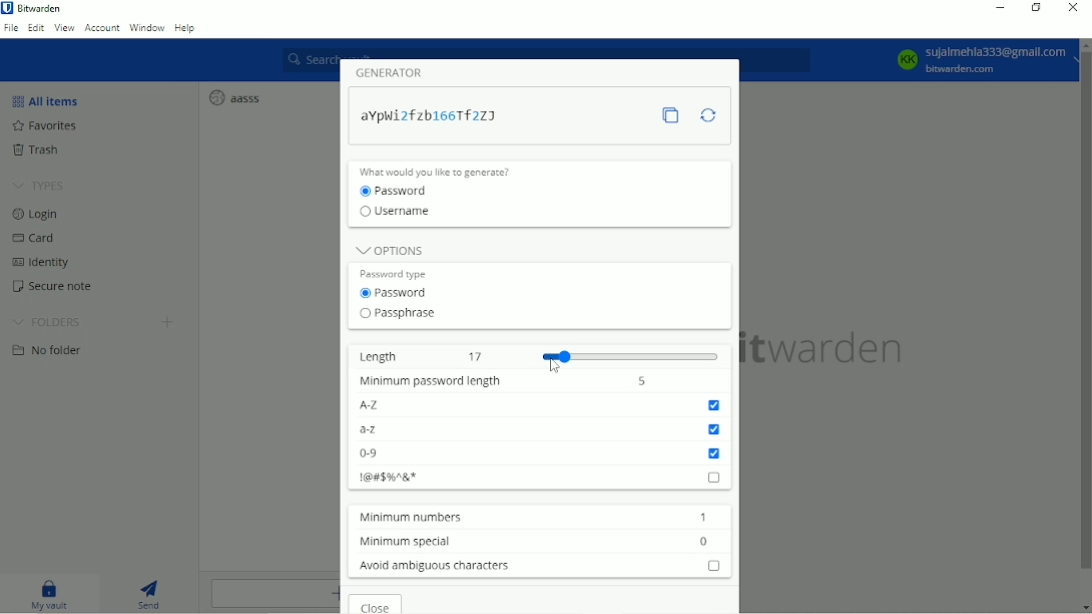 This screenshot has width=1092, height=614. I want to click on Minimum numbers, so click(406, 517).